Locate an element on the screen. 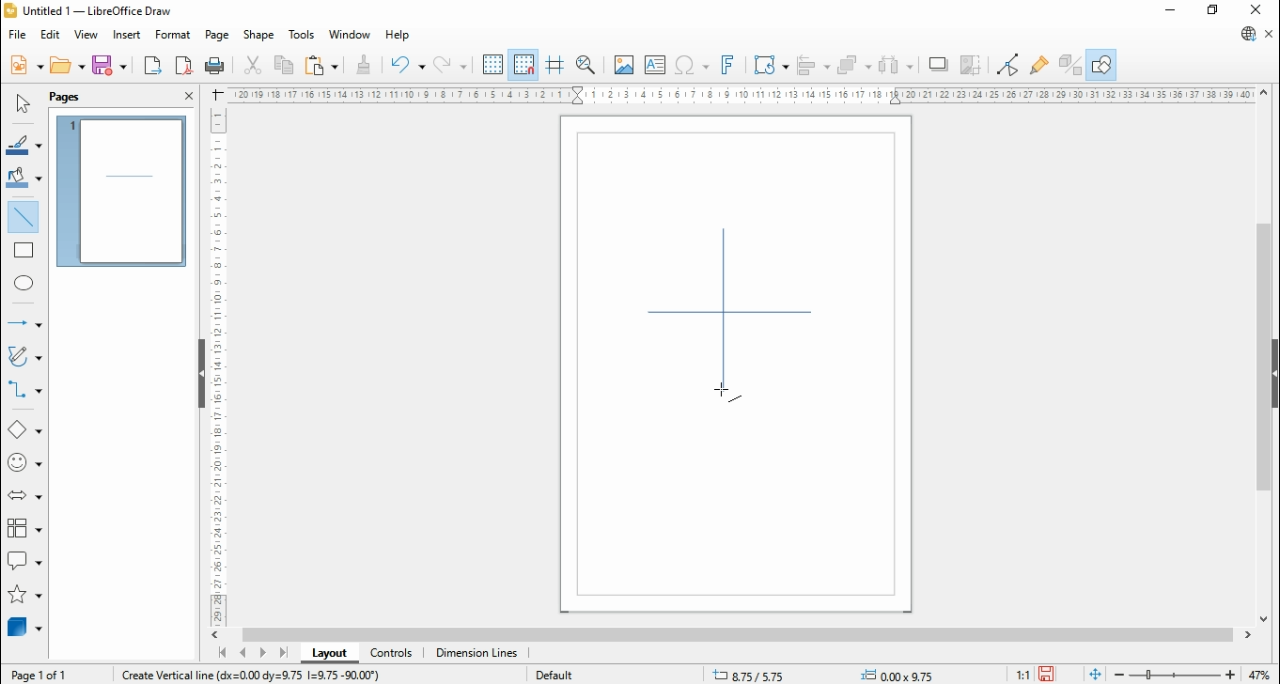  help is located at coordinates (398, 35).